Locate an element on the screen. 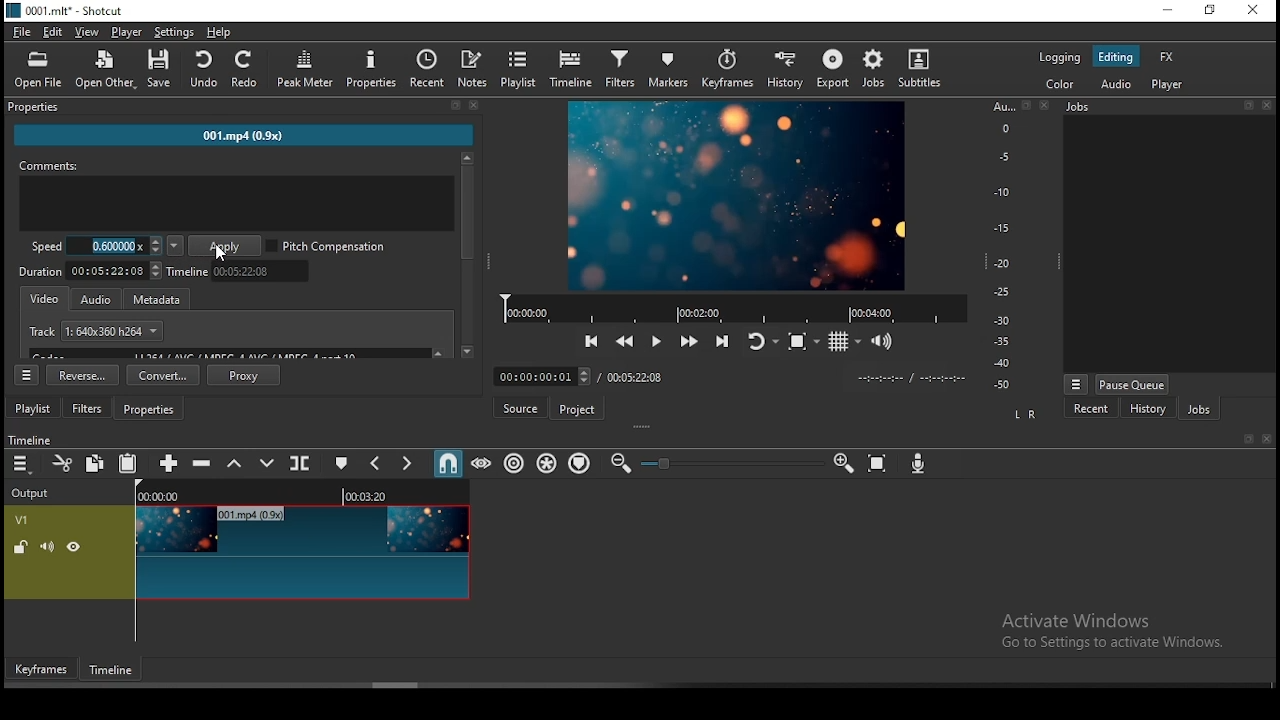 The image size is (1280, 720). edit is located at coordinates (57, 32).